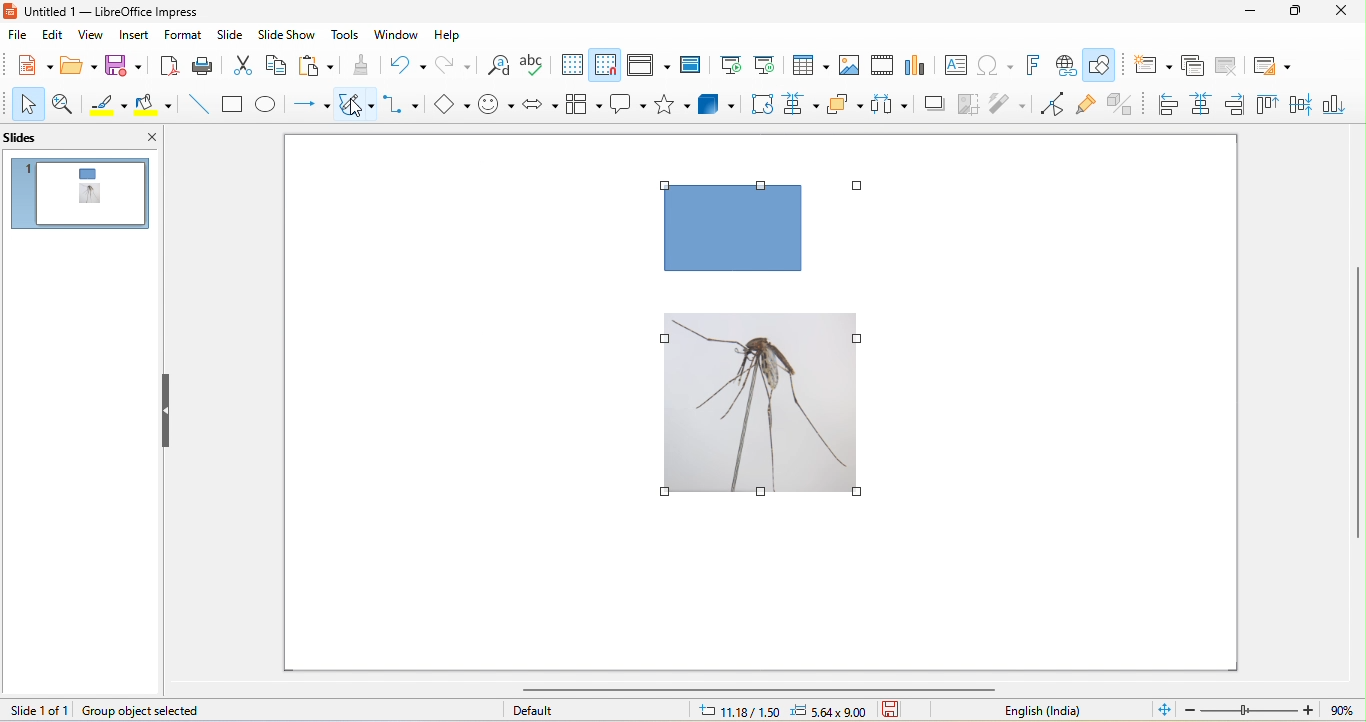 Image resolution: width=1366 pixels, height=722 pixels. I want to click on zoom and pan, so click(65, 104).